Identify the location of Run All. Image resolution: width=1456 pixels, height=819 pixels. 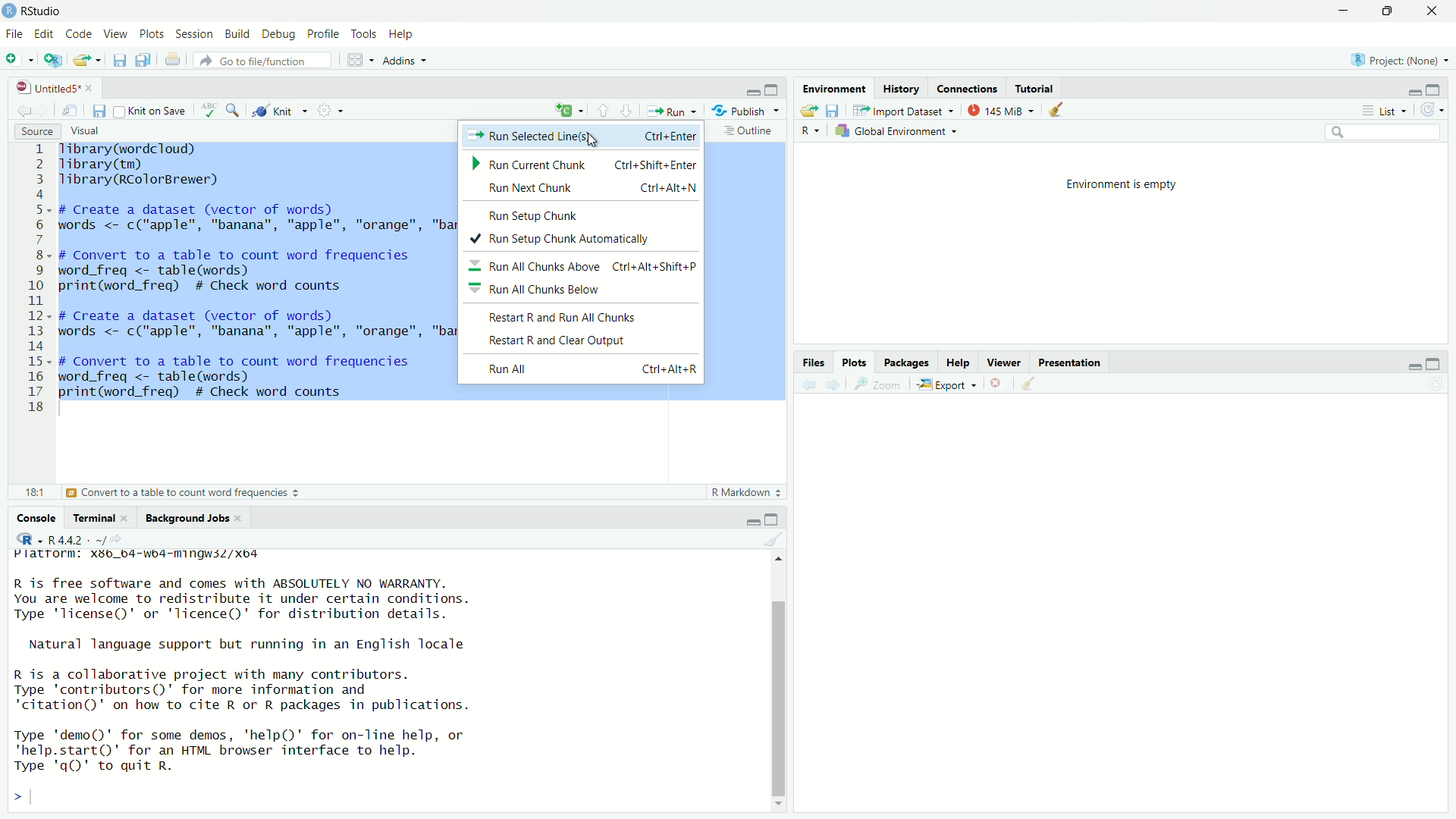
(590, 369).